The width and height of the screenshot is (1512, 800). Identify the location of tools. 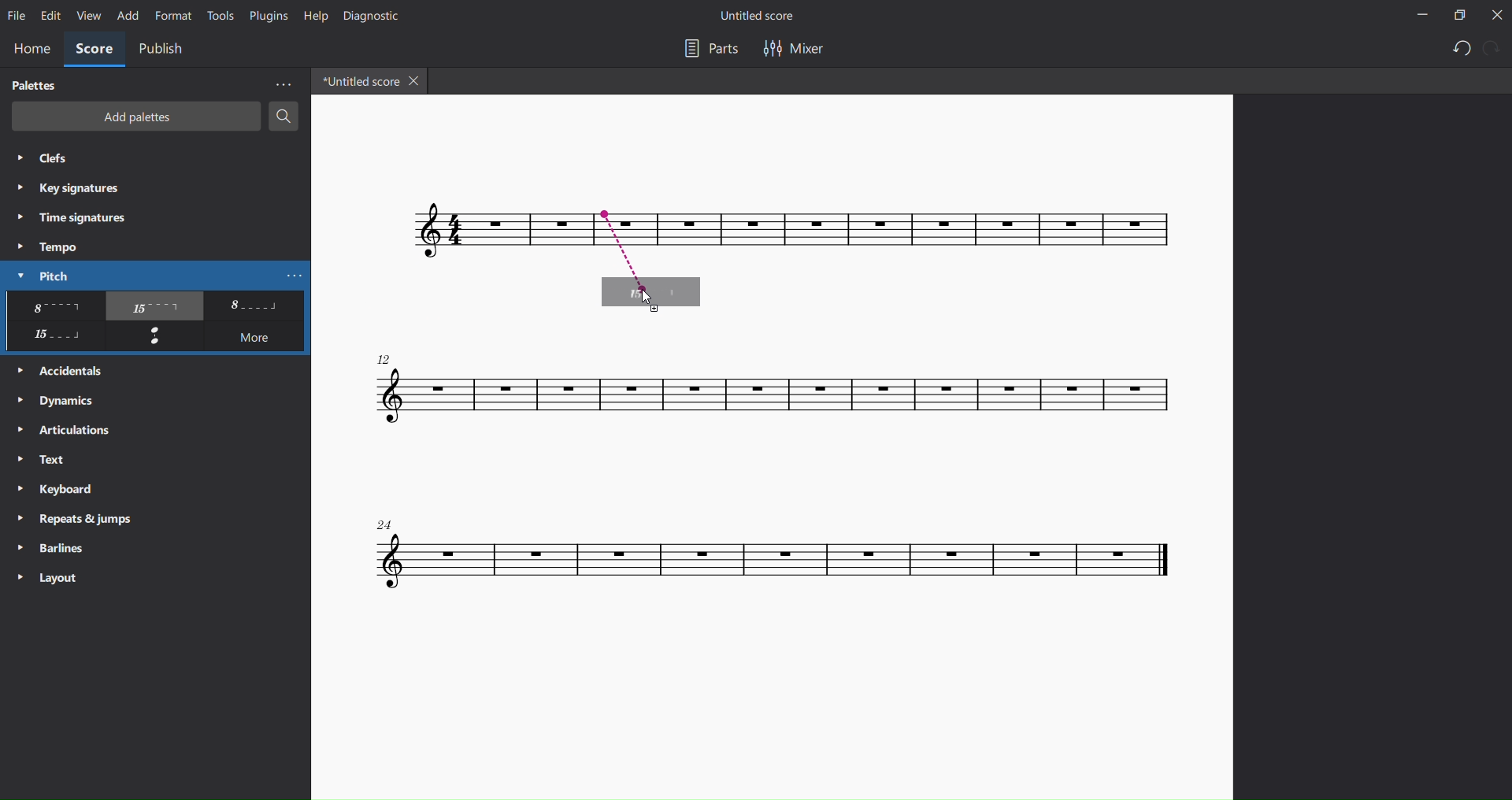
(220, 16).